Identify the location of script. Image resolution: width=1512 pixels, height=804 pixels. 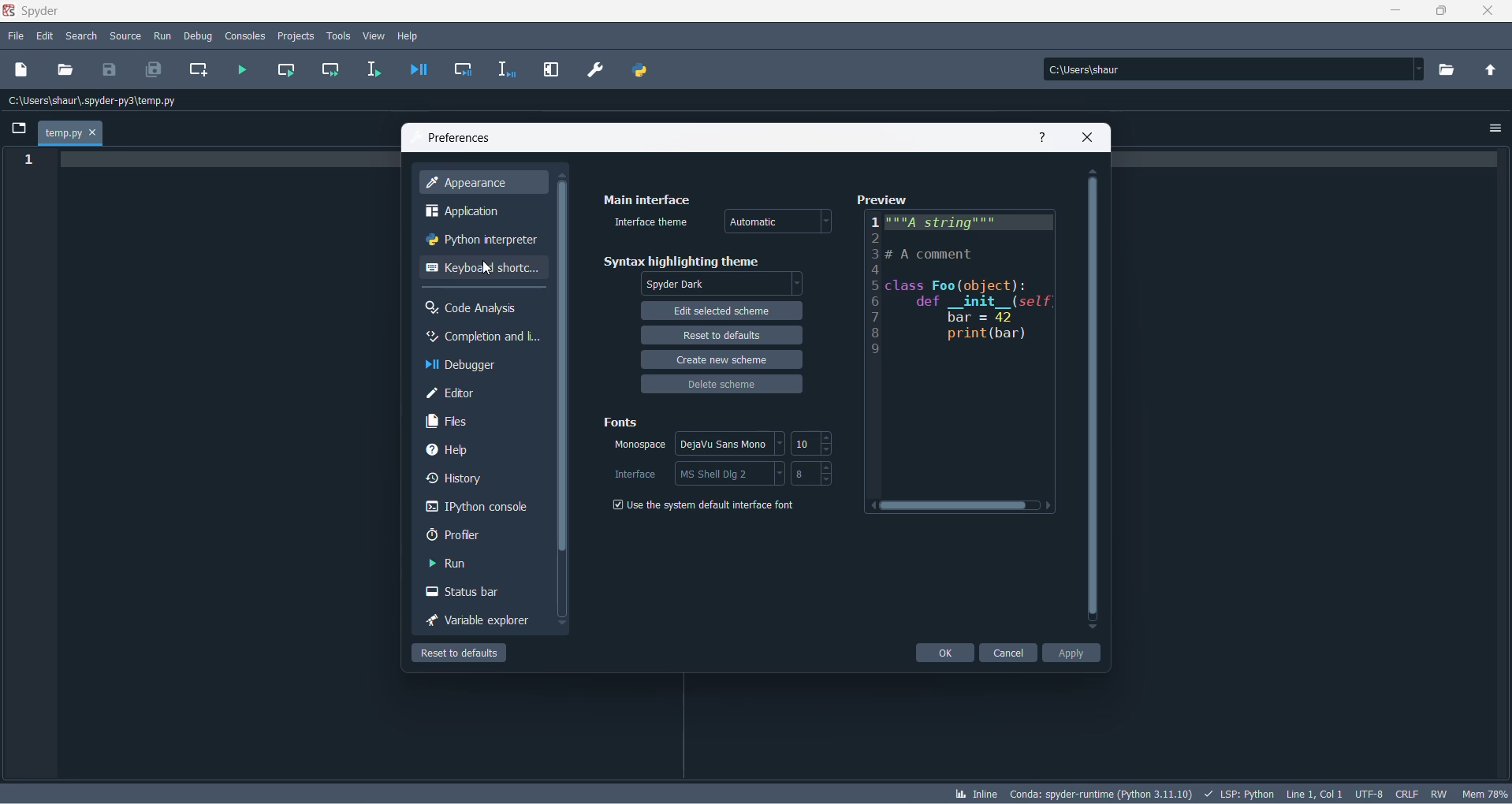
(1239, 792).